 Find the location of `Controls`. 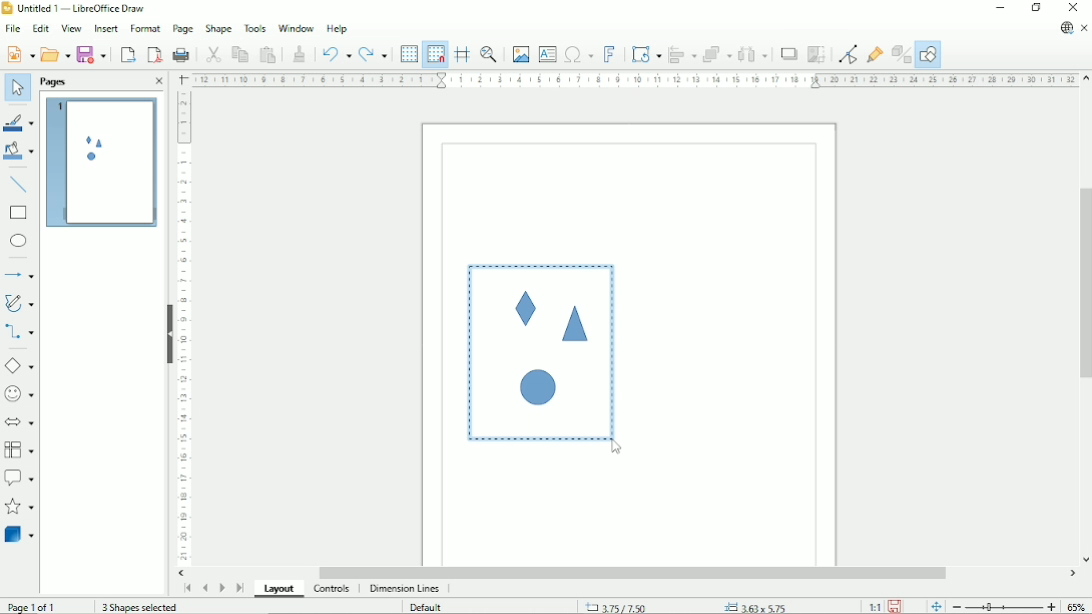

Controls is located at coordinates (332, 590).